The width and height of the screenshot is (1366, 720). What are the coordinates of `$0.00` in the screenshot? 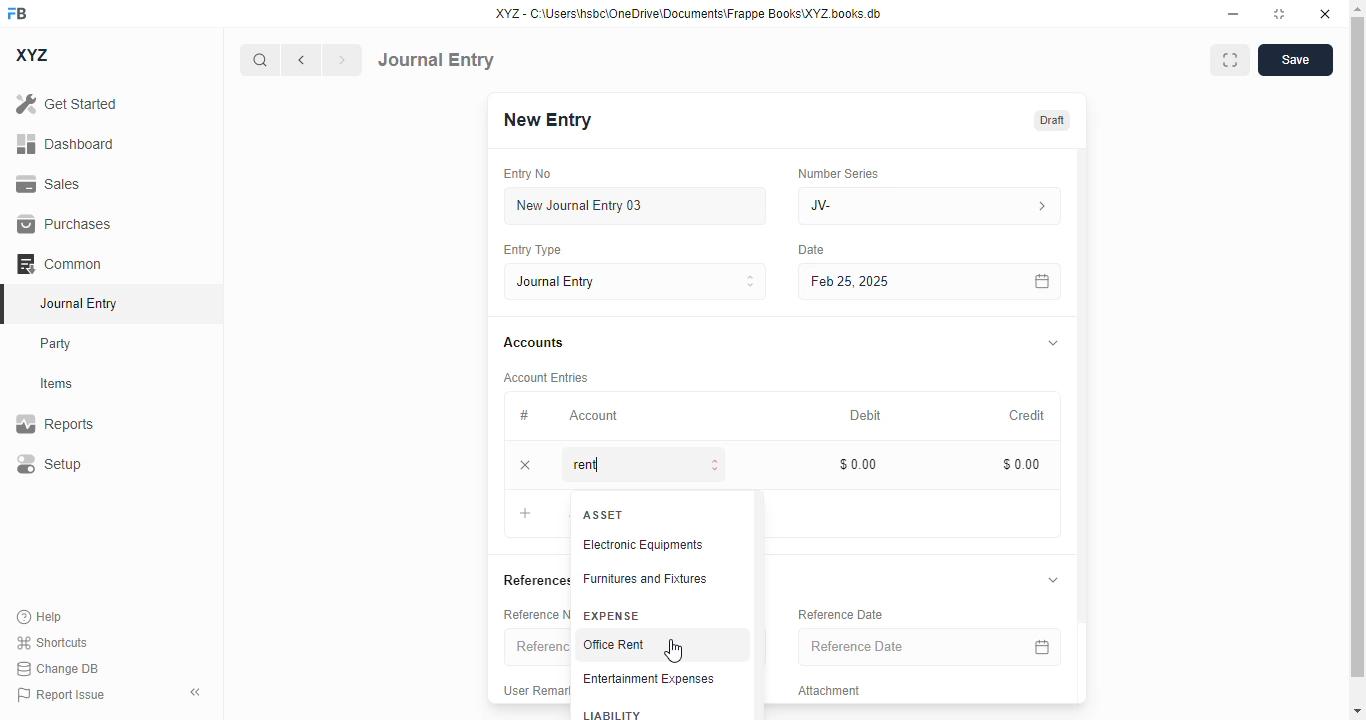 It's located at (861, 464).